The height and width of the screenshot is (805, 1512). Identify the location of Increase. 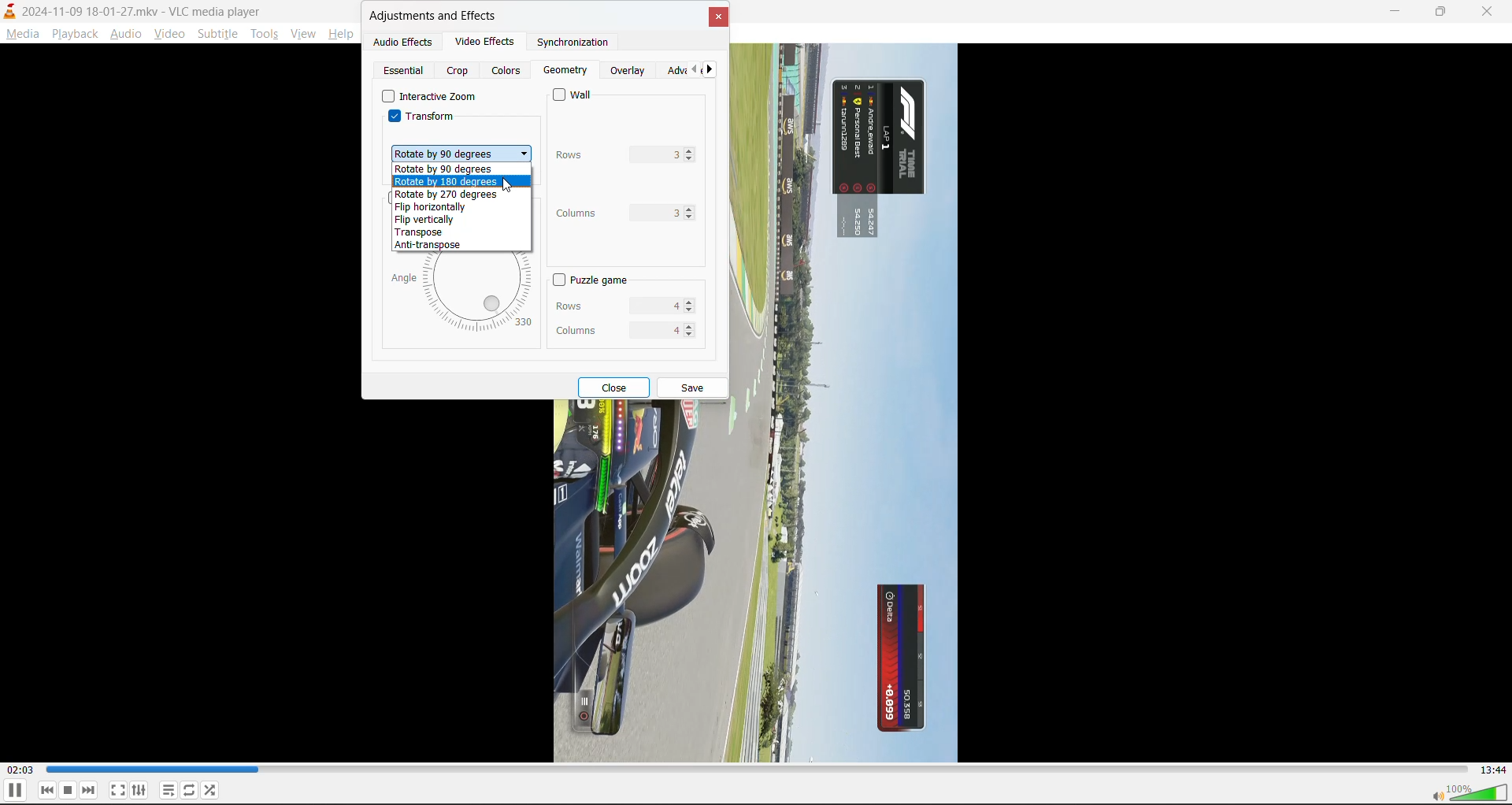
(689, 302).